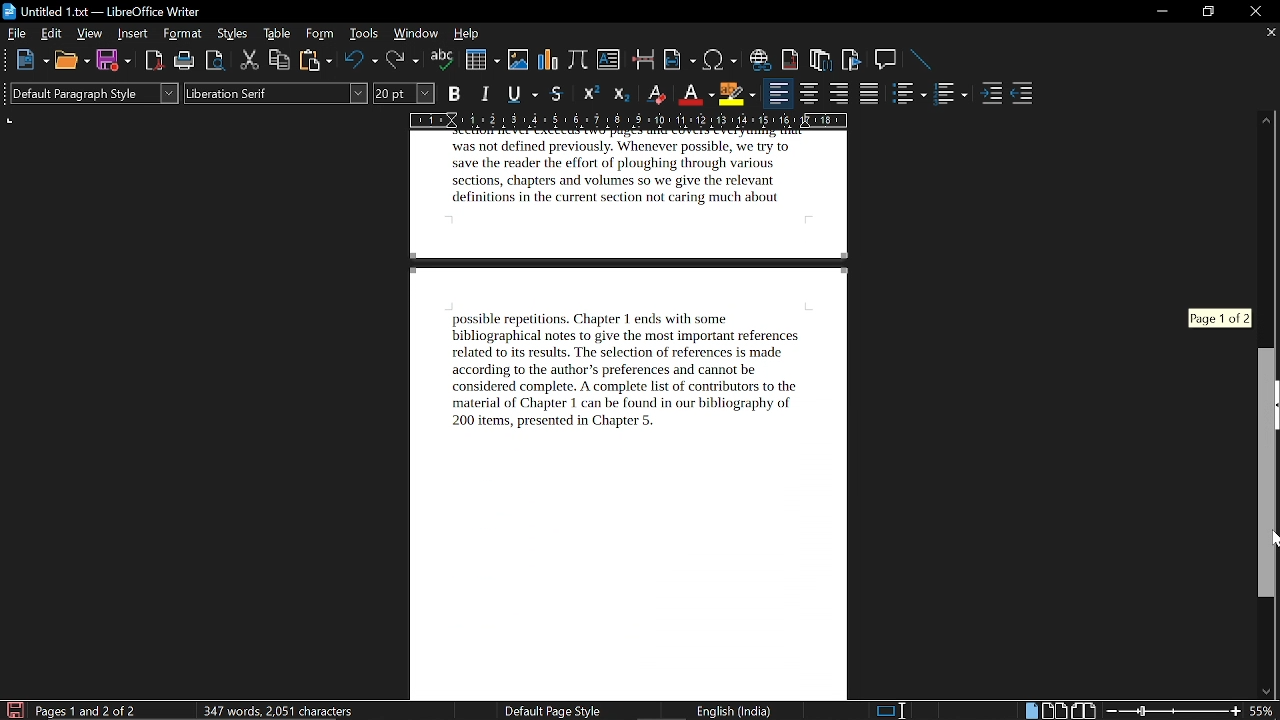  What do you see at coordinates (113, 59) in the screenshot?
I see `save` at bounding box center [113, 59].